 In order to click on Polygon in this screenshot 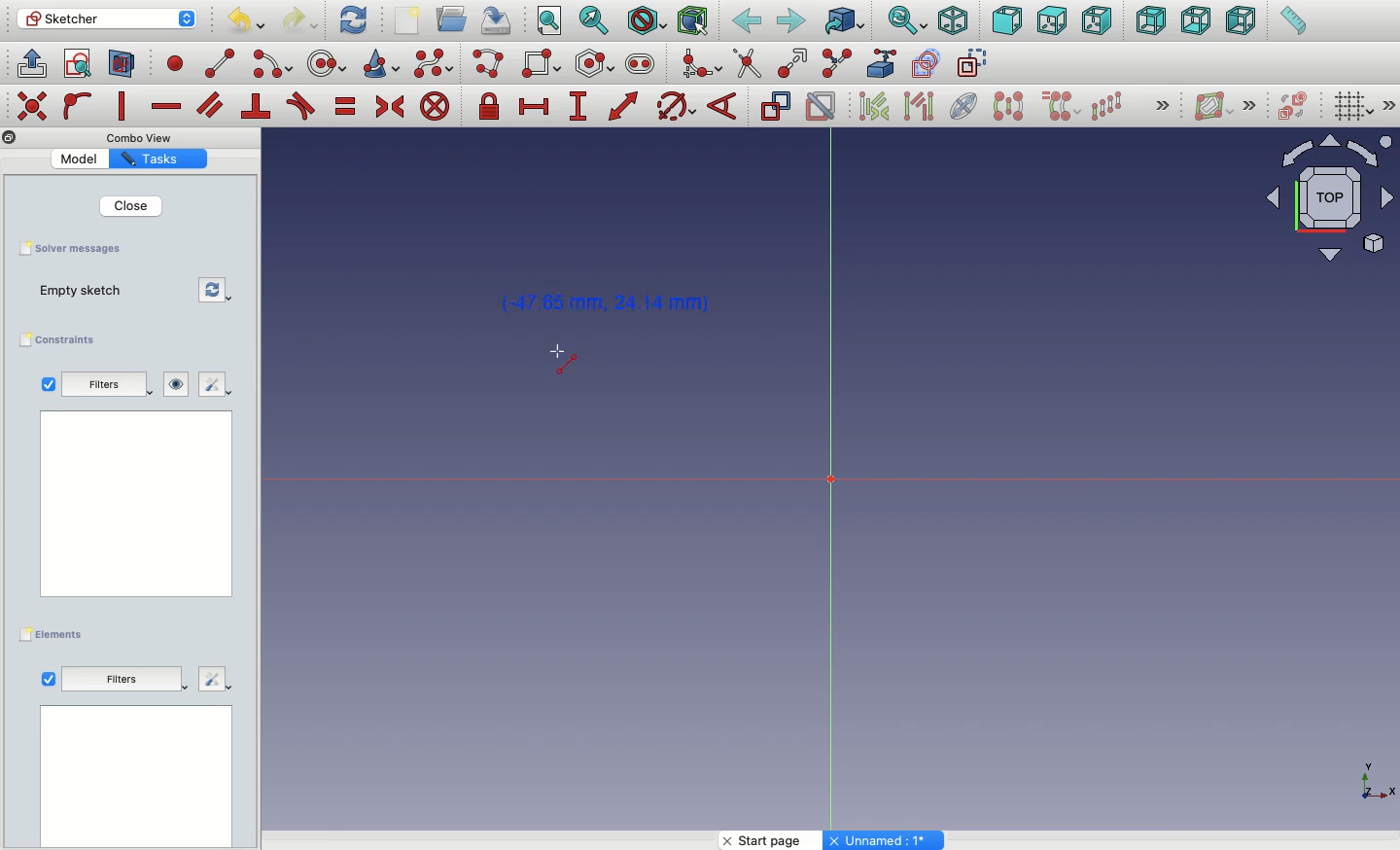, I will do `click(596, 64)`.